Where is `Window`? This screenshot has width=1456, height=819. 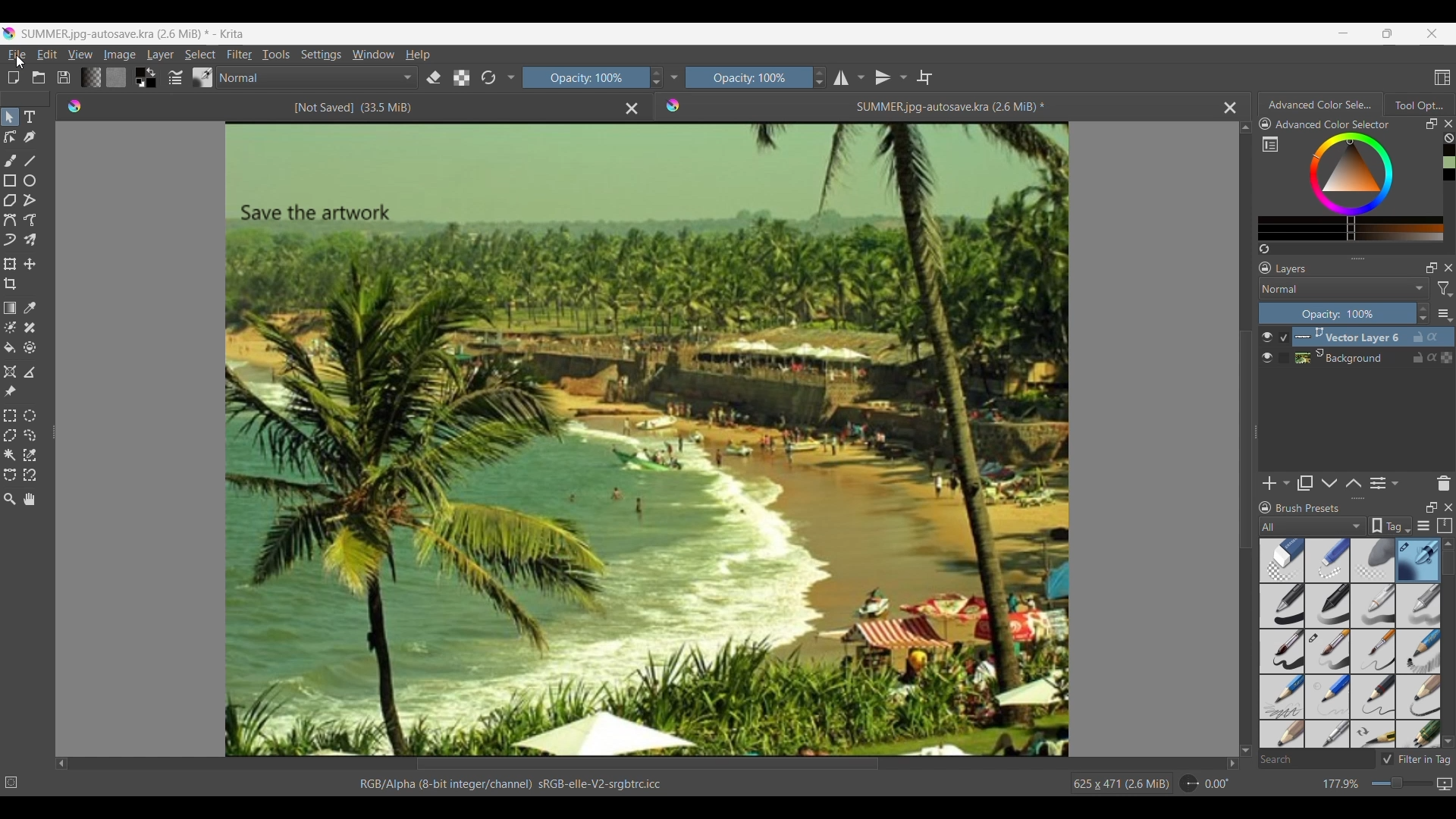
Window is located at coordinates (373, 54).